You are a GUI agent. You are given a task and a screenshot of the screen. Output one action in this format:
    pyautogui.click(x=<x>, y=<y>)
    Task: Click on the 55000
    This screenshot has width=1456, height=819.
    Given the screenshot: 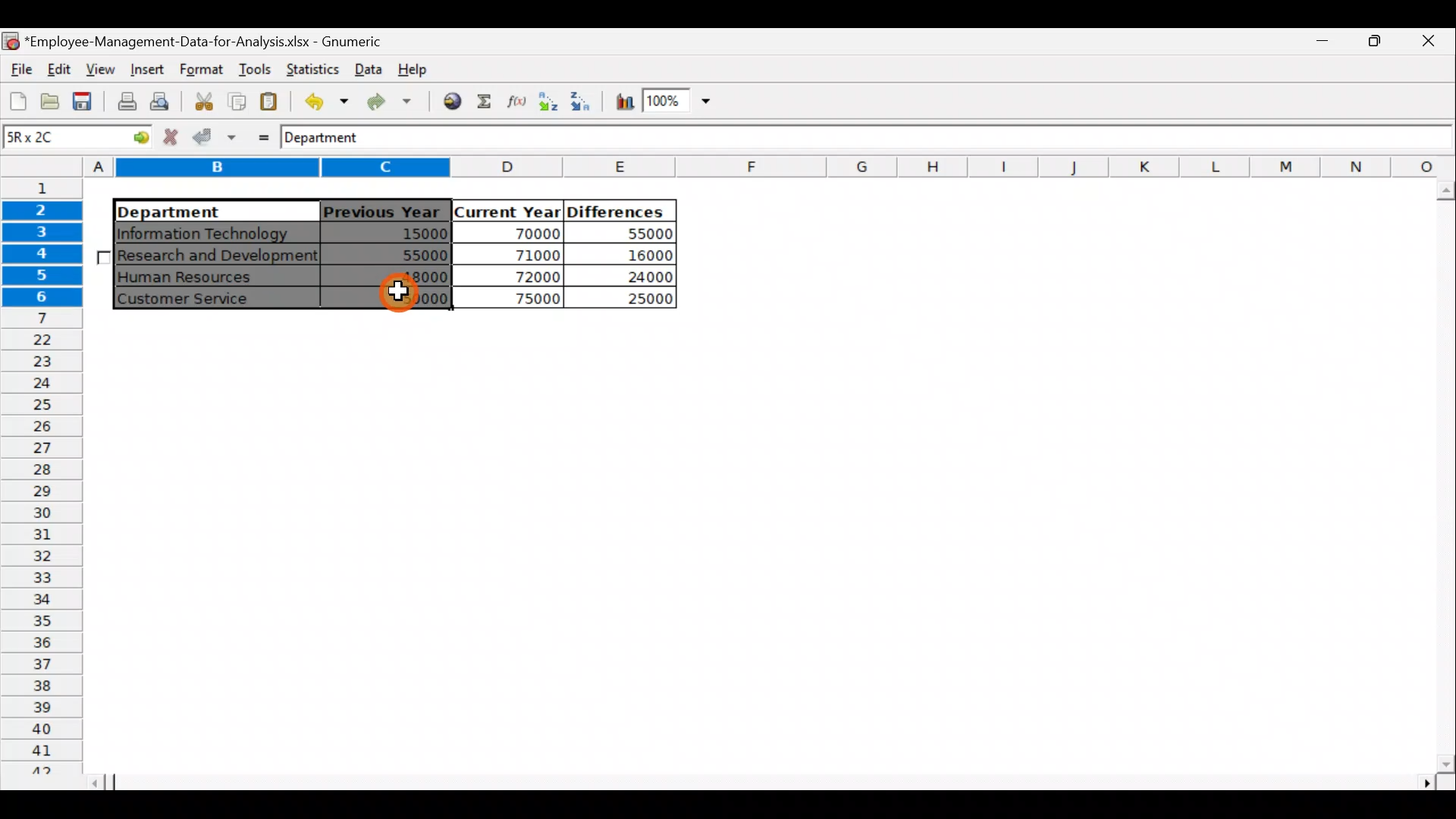 What is the action you would take?
    pyautogui.click(x=642, y=234)
    